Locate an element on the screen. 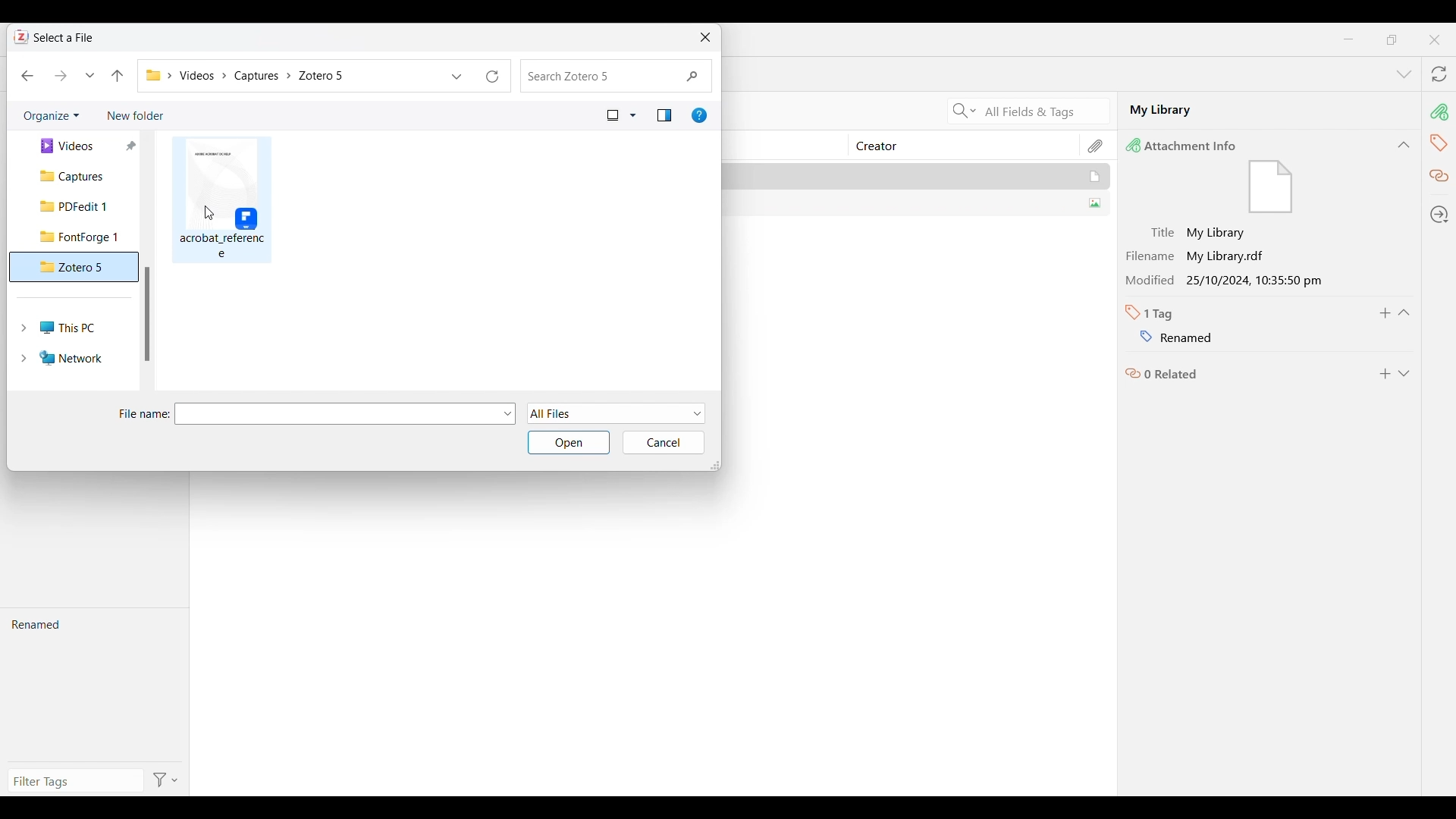 The height and width of the screenshot is (819, 1456). maximize is located at coordinates (1391, 39).